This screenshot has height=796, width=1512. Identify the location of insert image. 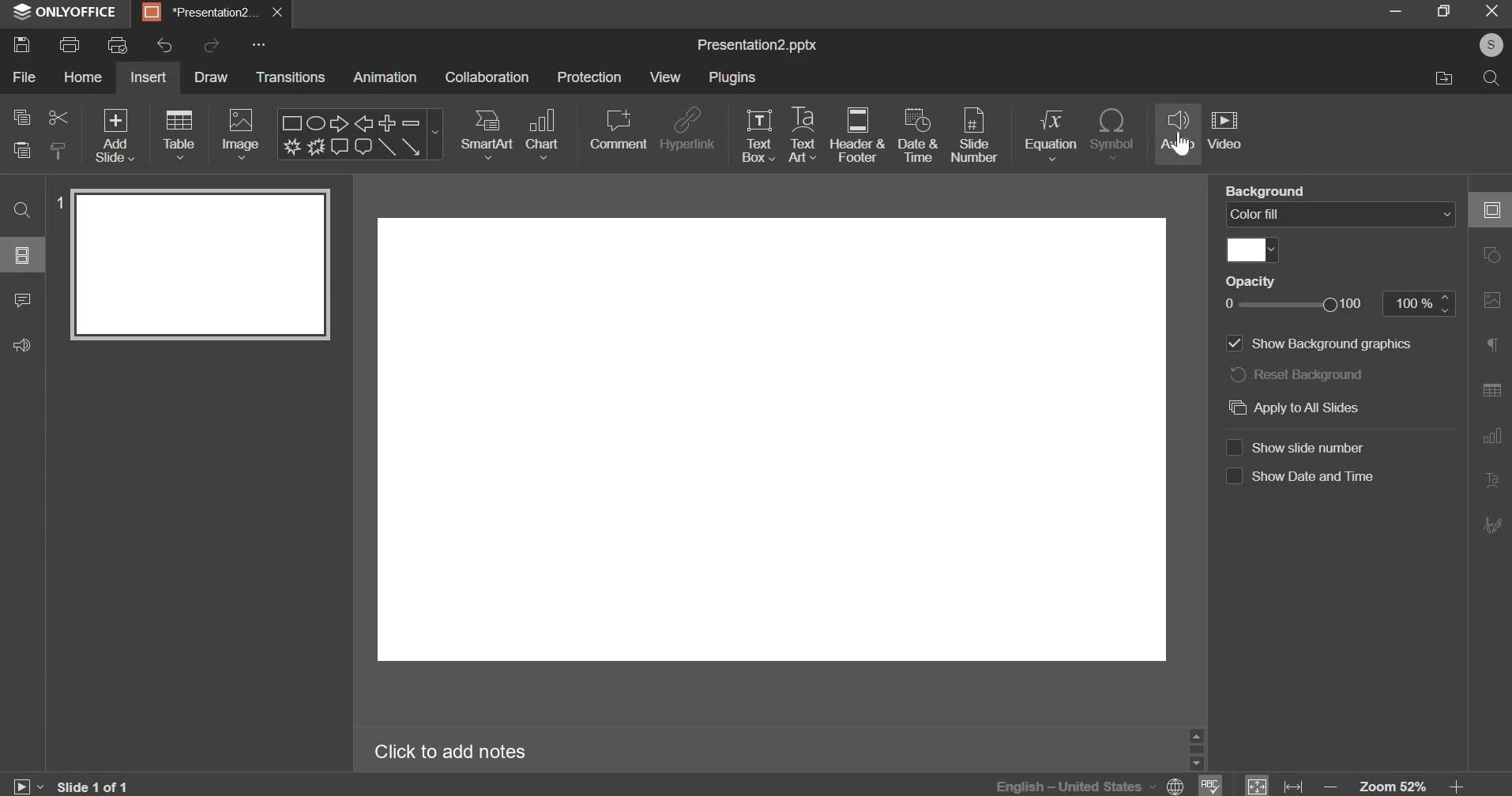
(242, 135).